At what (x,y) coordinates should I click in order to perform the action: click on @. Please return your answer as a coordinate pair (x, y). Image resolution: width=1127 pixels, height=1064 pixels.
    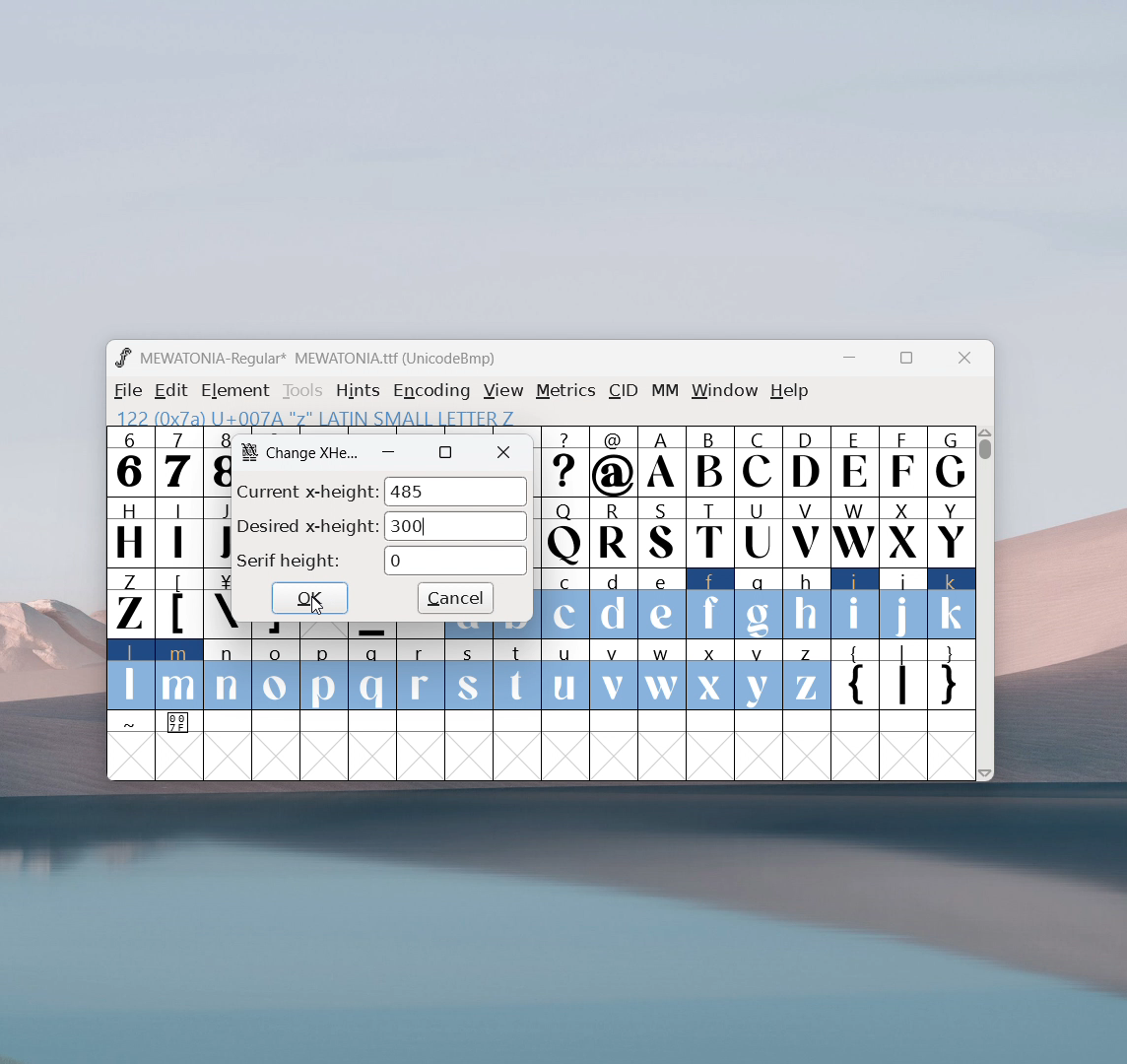
    Looking at the image, I should click on (615, 462).